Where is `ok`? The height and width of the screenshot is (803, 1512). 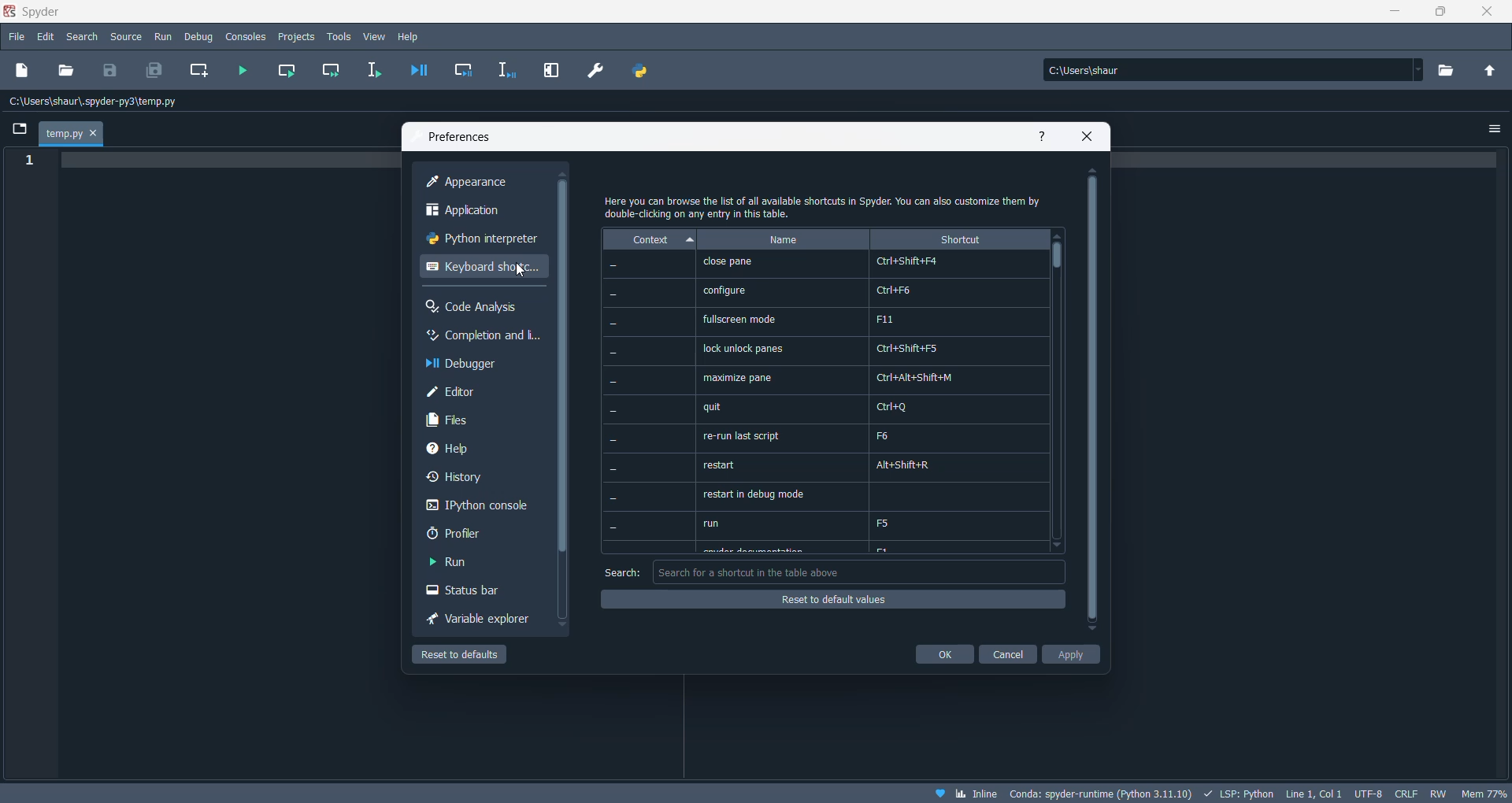 ok is located at coordinates (942, 654).